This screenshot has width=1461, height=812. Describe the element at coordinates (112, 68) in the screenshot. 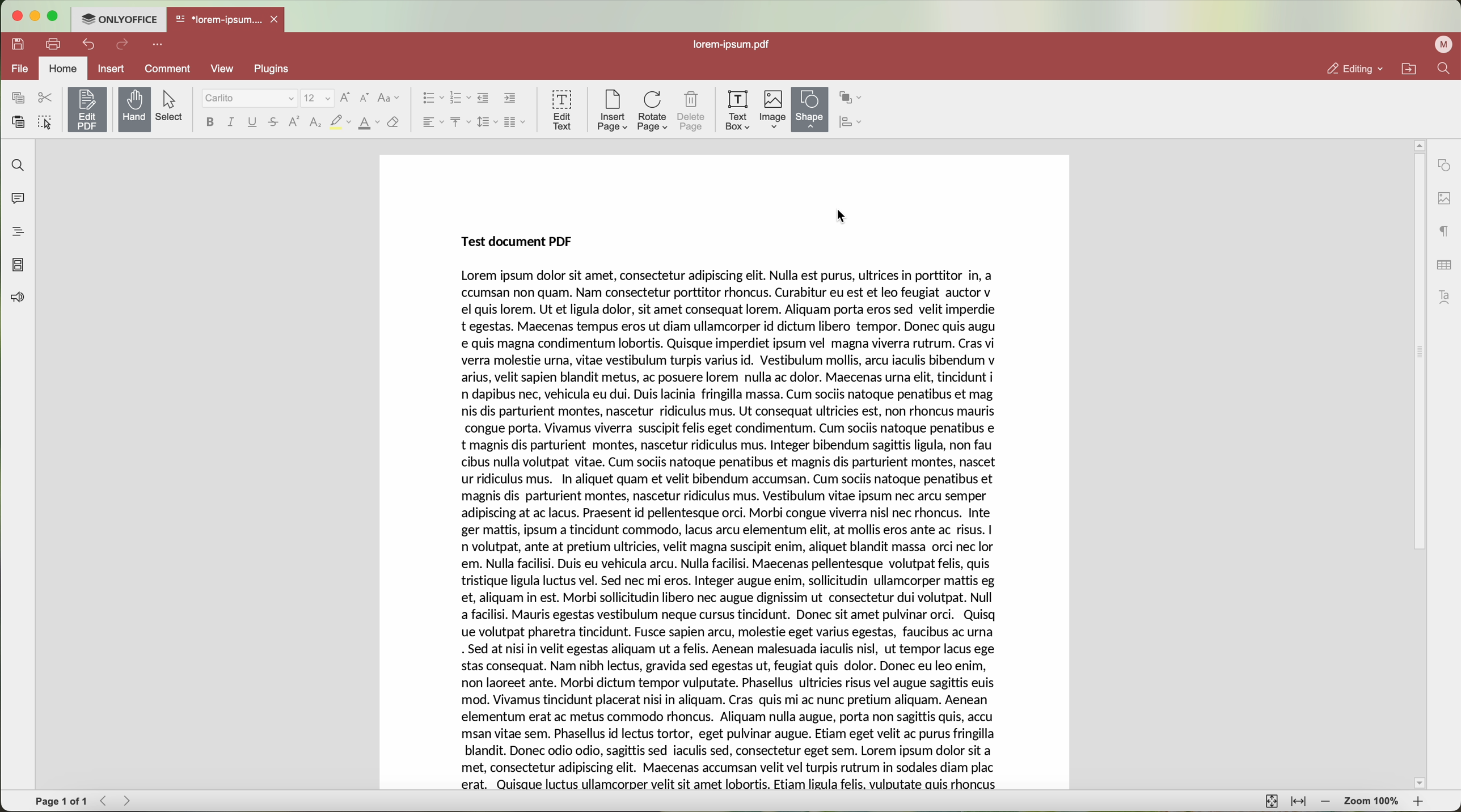

I see `insert` at that location.